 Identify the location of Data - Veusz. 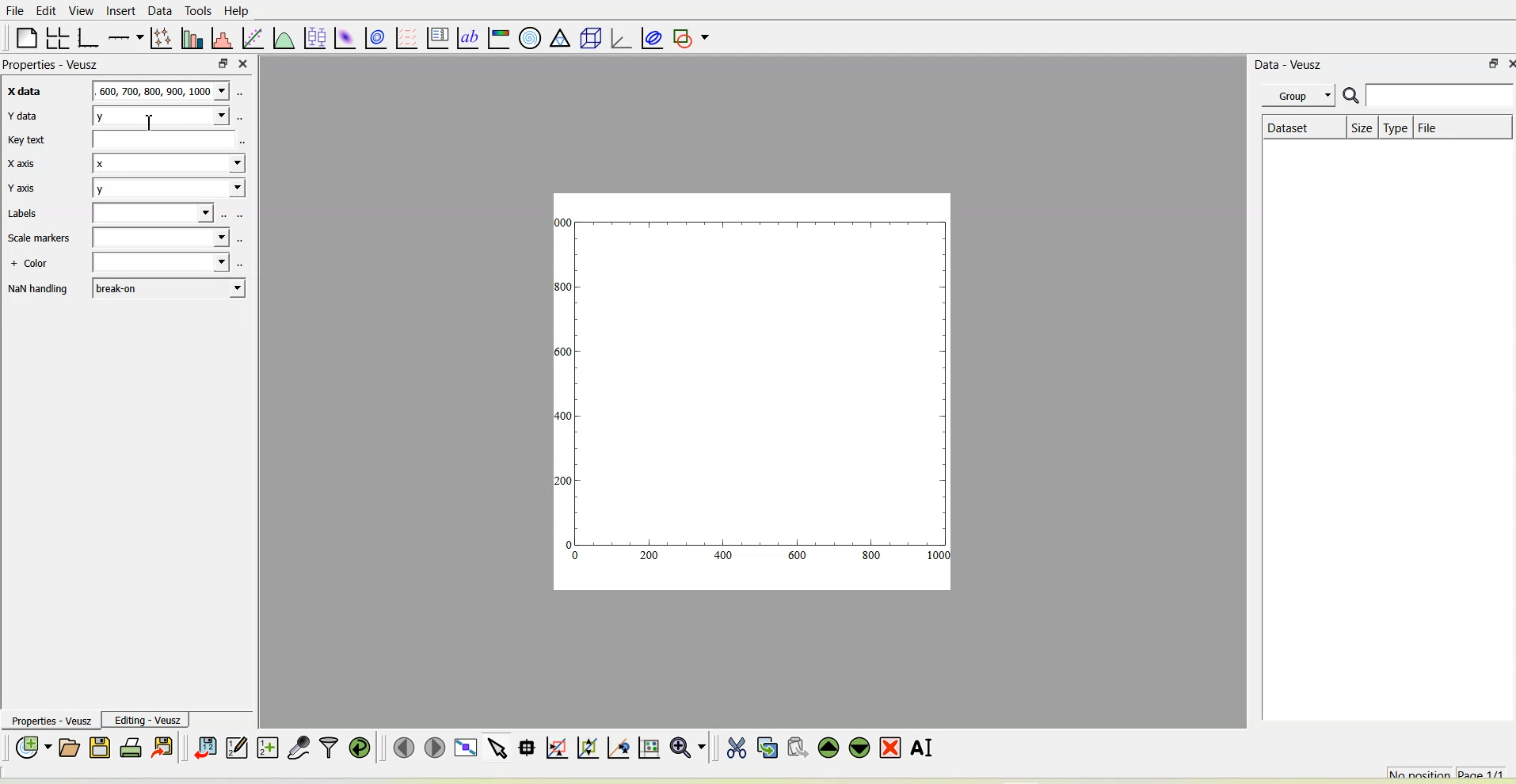
(1289, 63).